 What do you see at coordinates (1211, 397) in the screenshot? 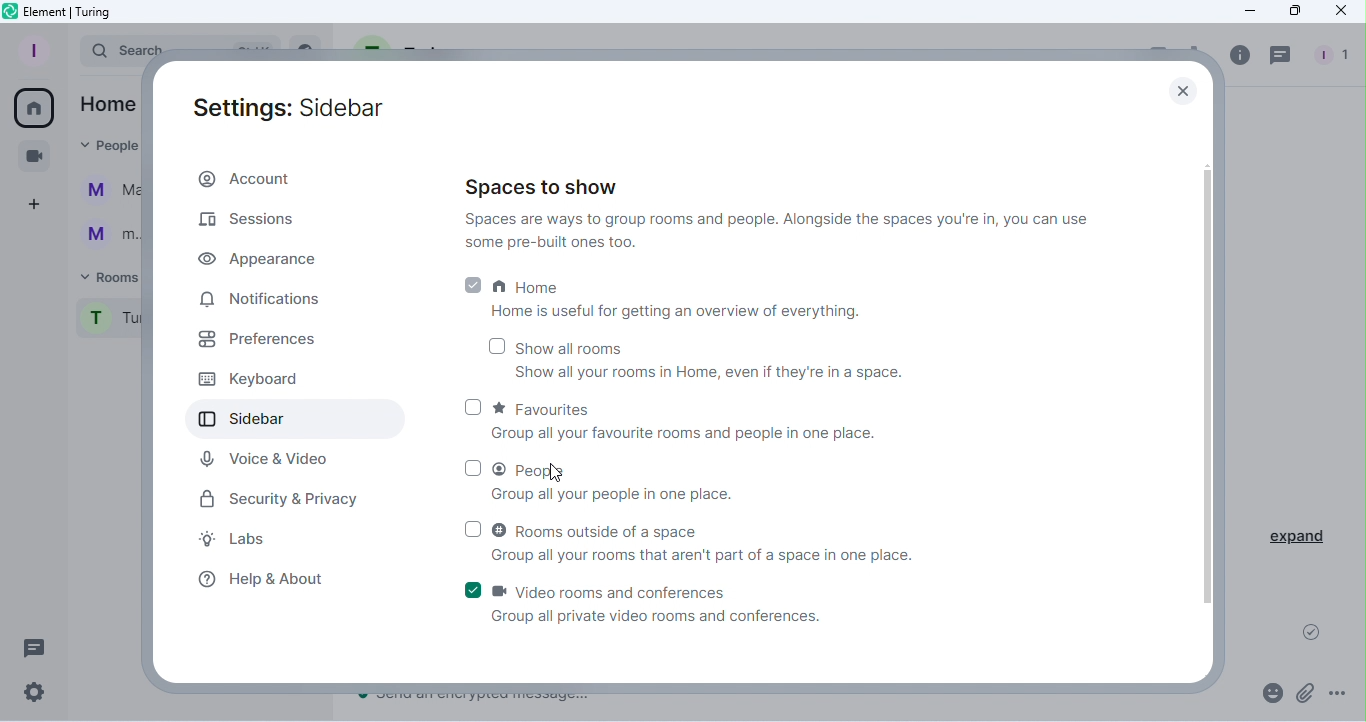
I see `Scroll bar` at bounding box center [1211, 397].